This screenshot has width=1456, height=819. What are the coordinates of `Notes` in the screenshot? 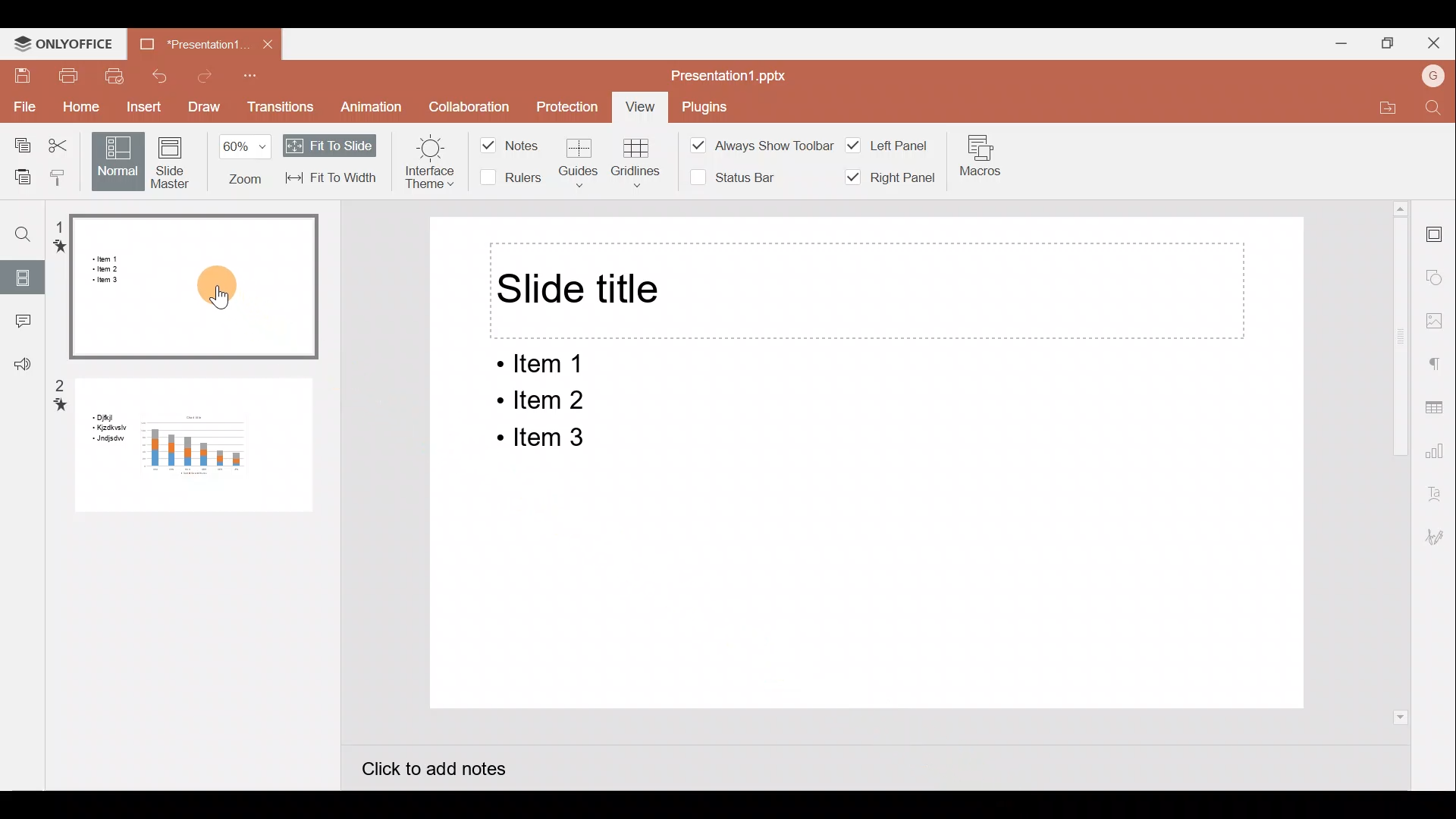 It's located at (515, 143).